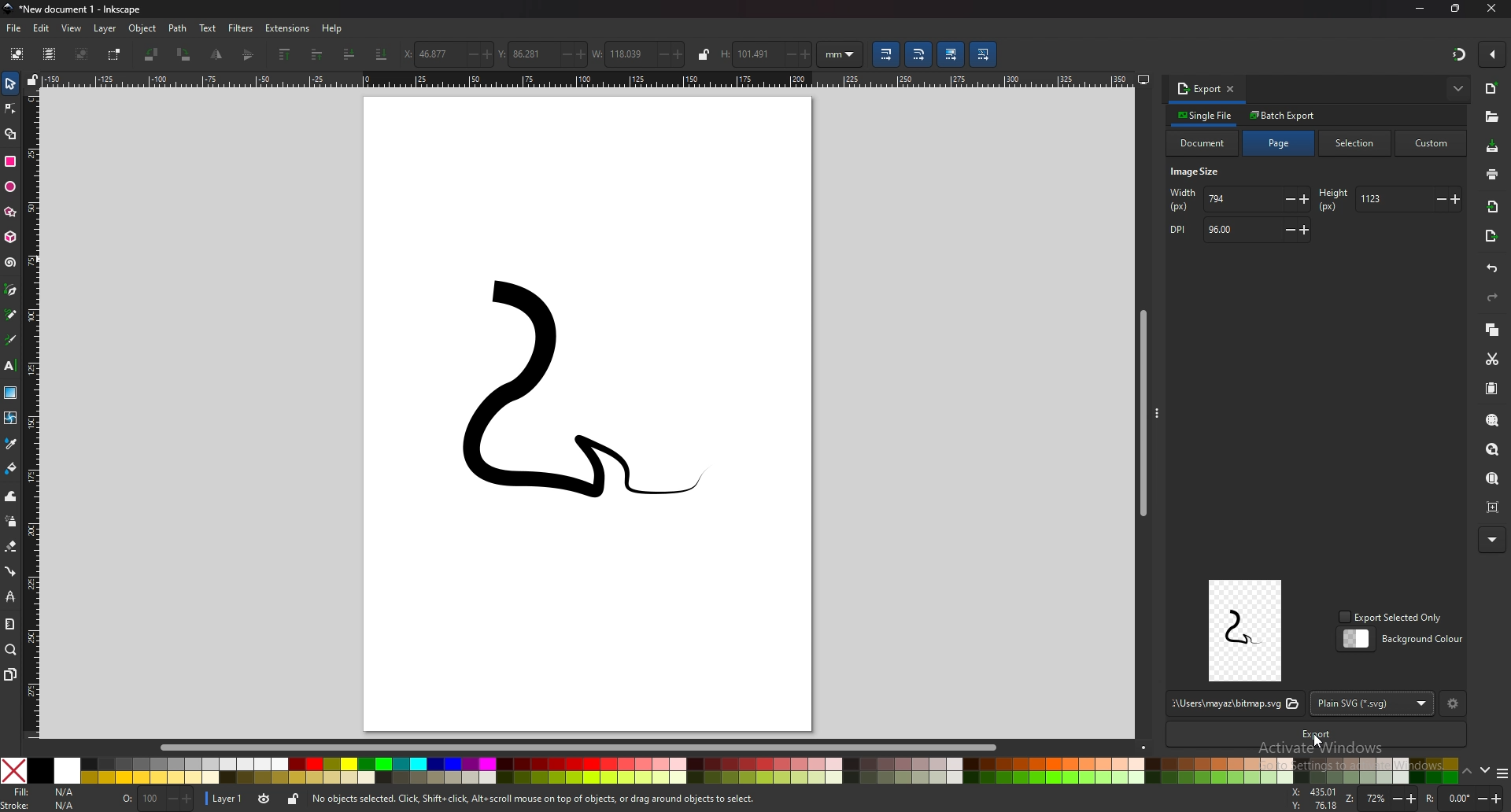 This screenshot has height=812, width=1511. What do you see at coordinates (1491, 10) in the screenshot?
I see `close` at bounding box center [1491, 10].